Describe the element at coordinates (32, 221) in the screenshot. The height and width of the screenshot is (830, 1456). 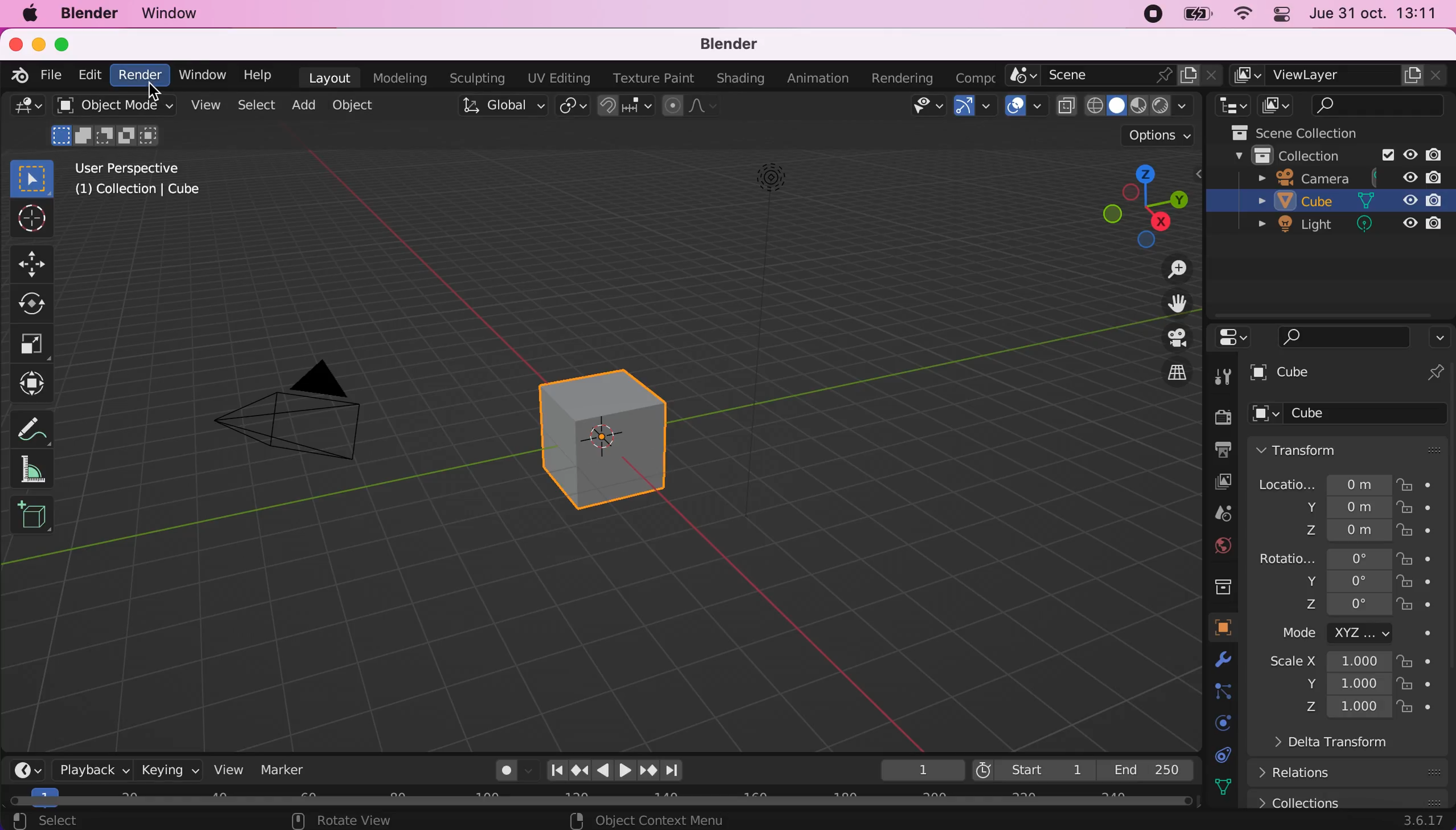
I see `cursor` at that location.